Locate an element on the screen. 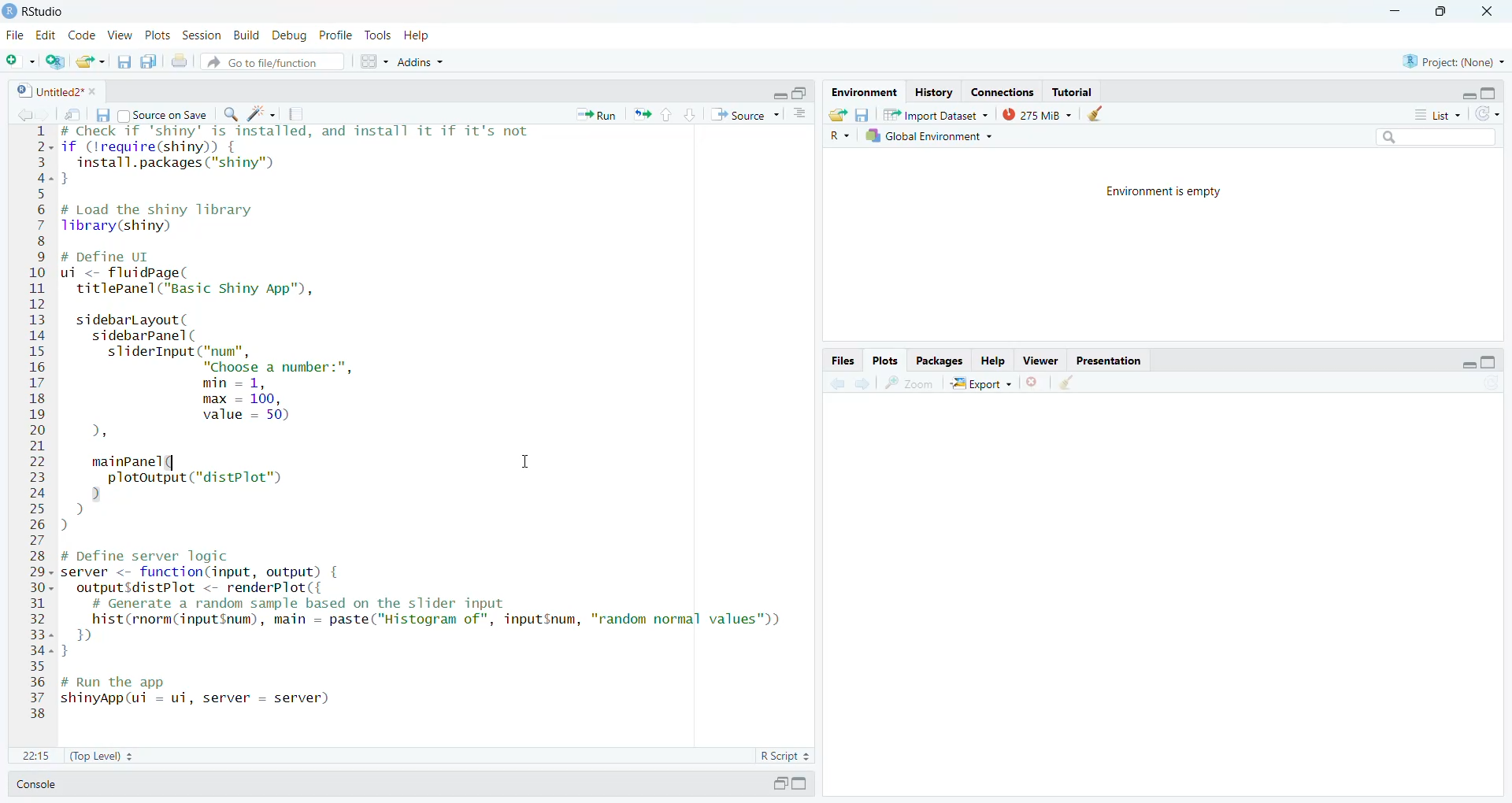 The height and width of the screenshot is (803, 1512). rerun is located at coordinates (642, 114).